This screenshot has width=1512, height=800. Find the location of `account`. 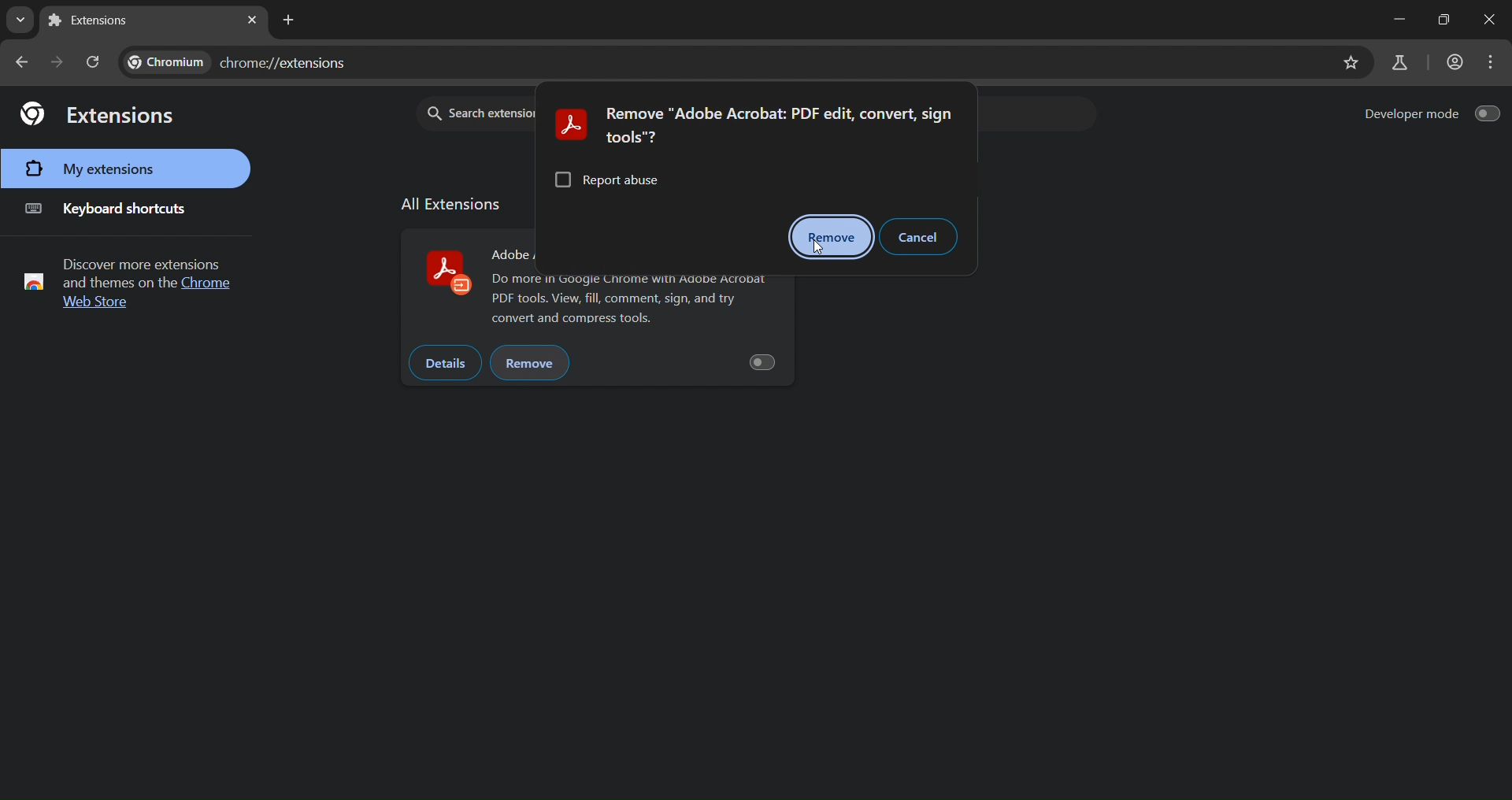

account is located at coordinates (1455, 60).